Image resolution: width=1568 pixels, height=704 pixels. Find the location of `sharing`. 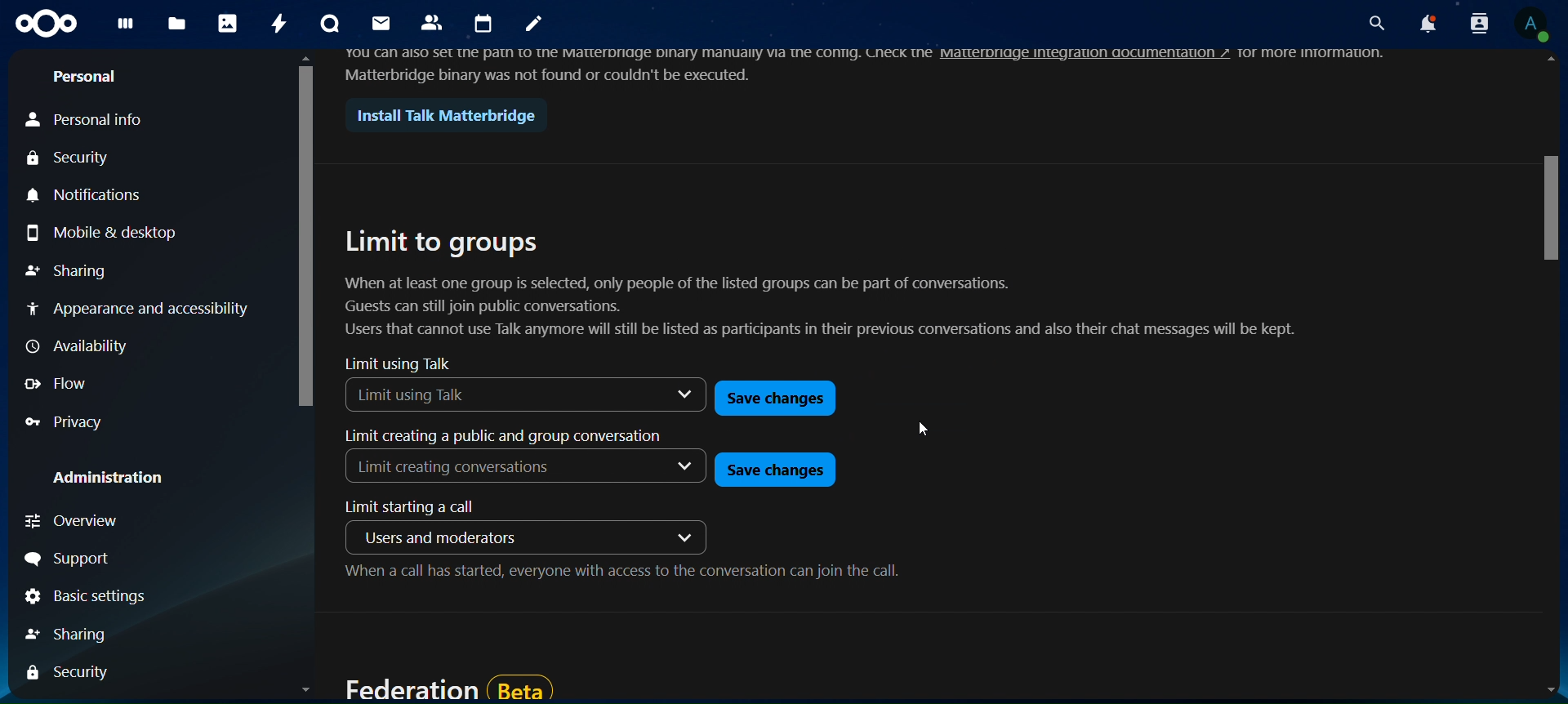

sharing is located at coordinates (75, 634).